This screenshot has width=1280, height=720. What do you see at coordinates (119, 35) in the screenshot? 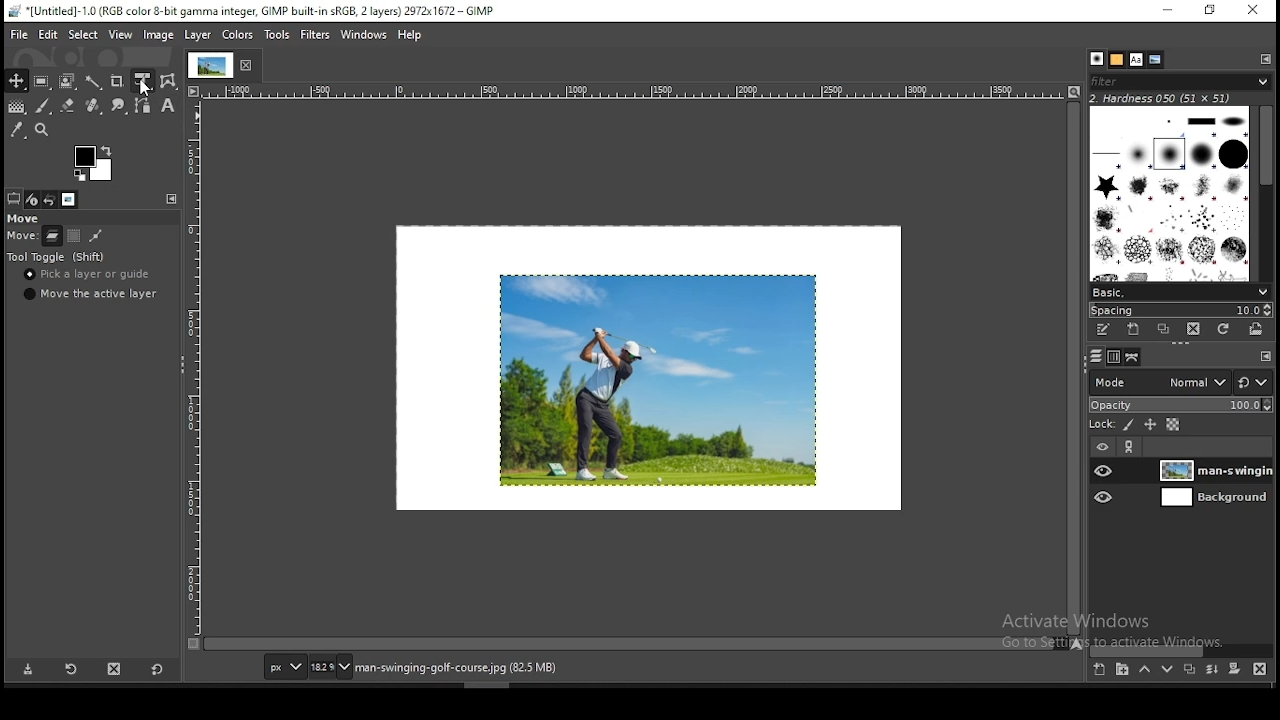
I see `view` at bounding box center [119, 35].